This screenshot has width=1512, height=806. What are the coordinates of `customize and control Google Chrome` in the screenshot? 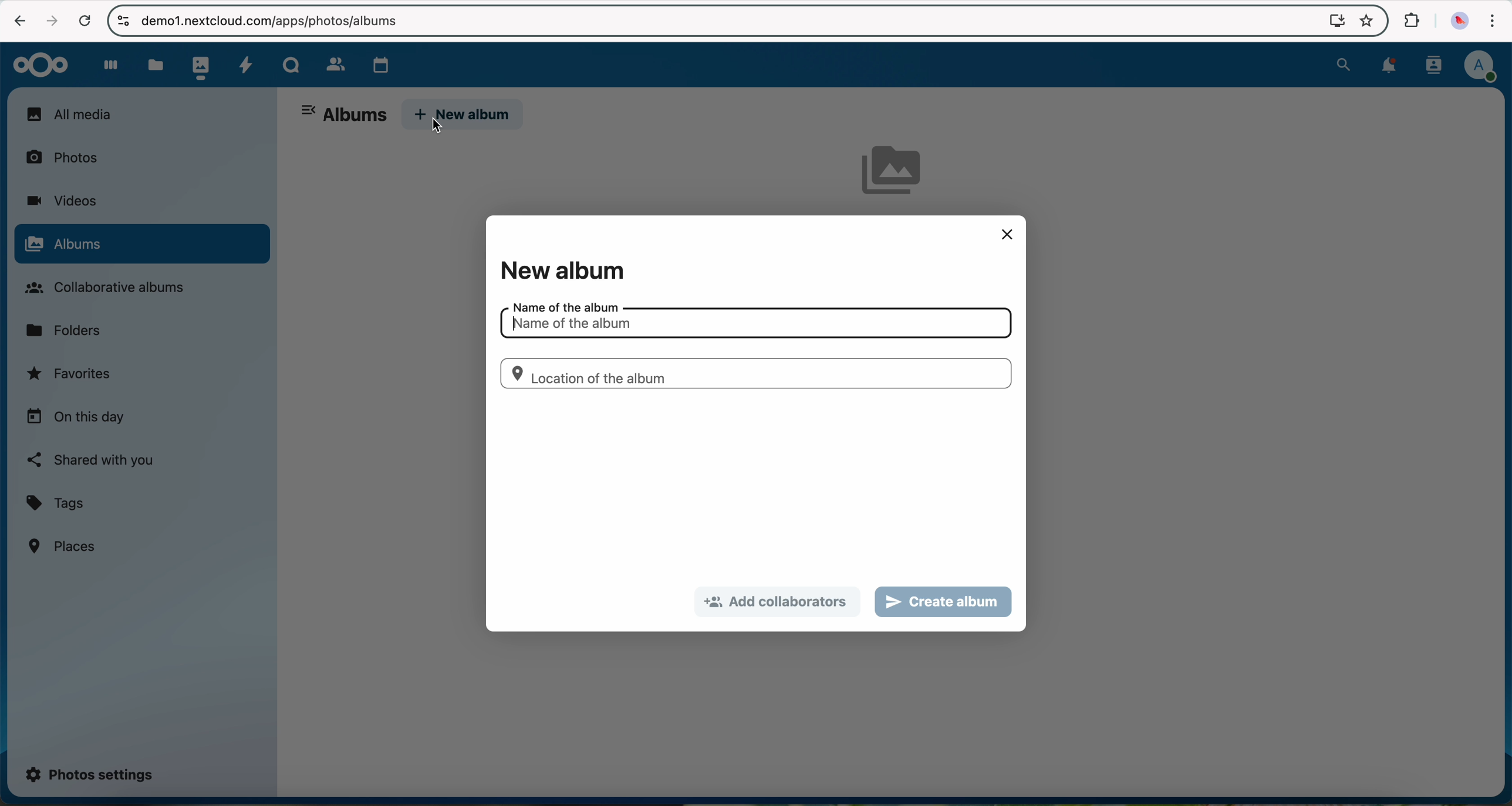 It's located at (1491, 23).